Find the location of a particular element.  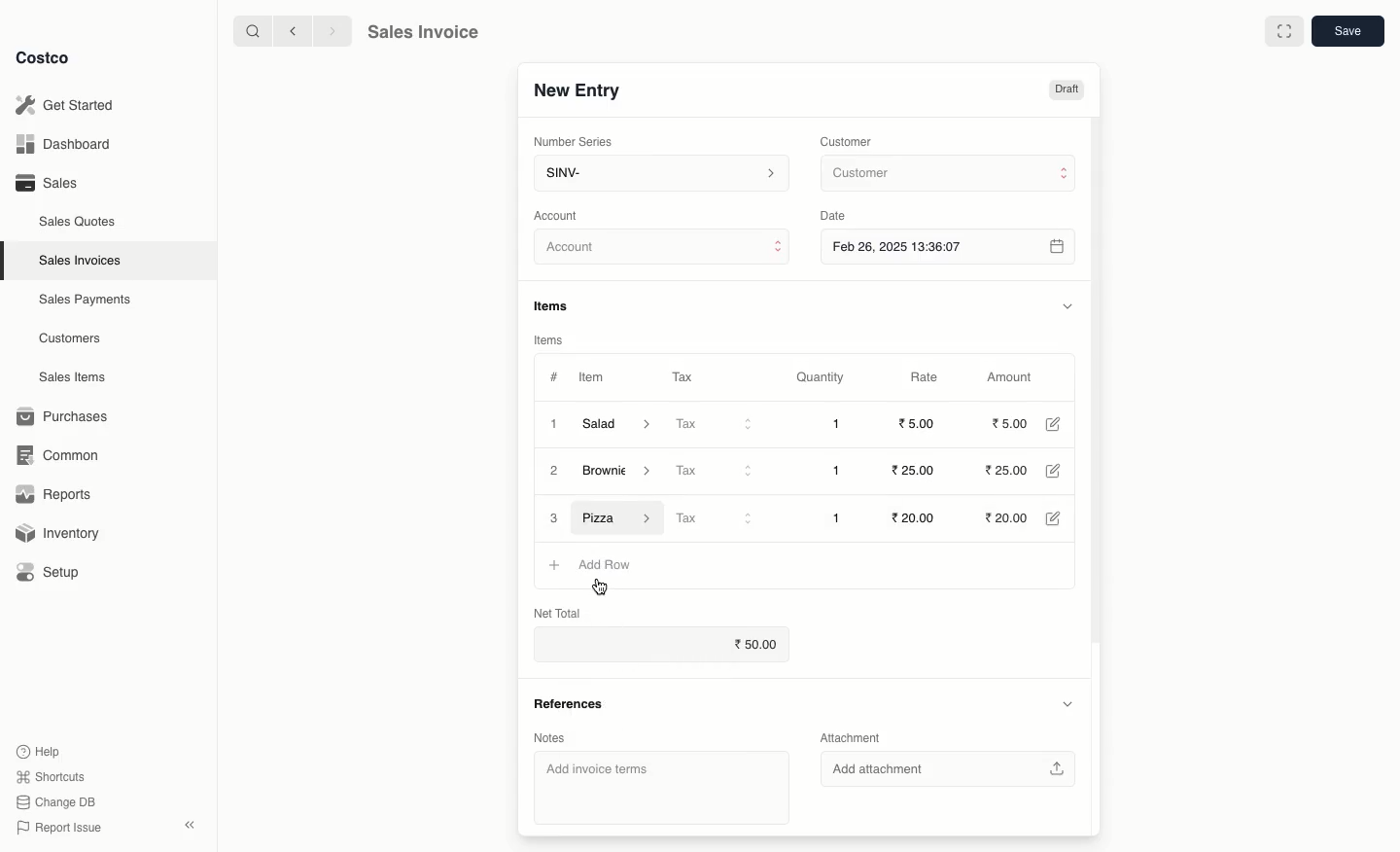

Setup is located at coordinates (55, 572).